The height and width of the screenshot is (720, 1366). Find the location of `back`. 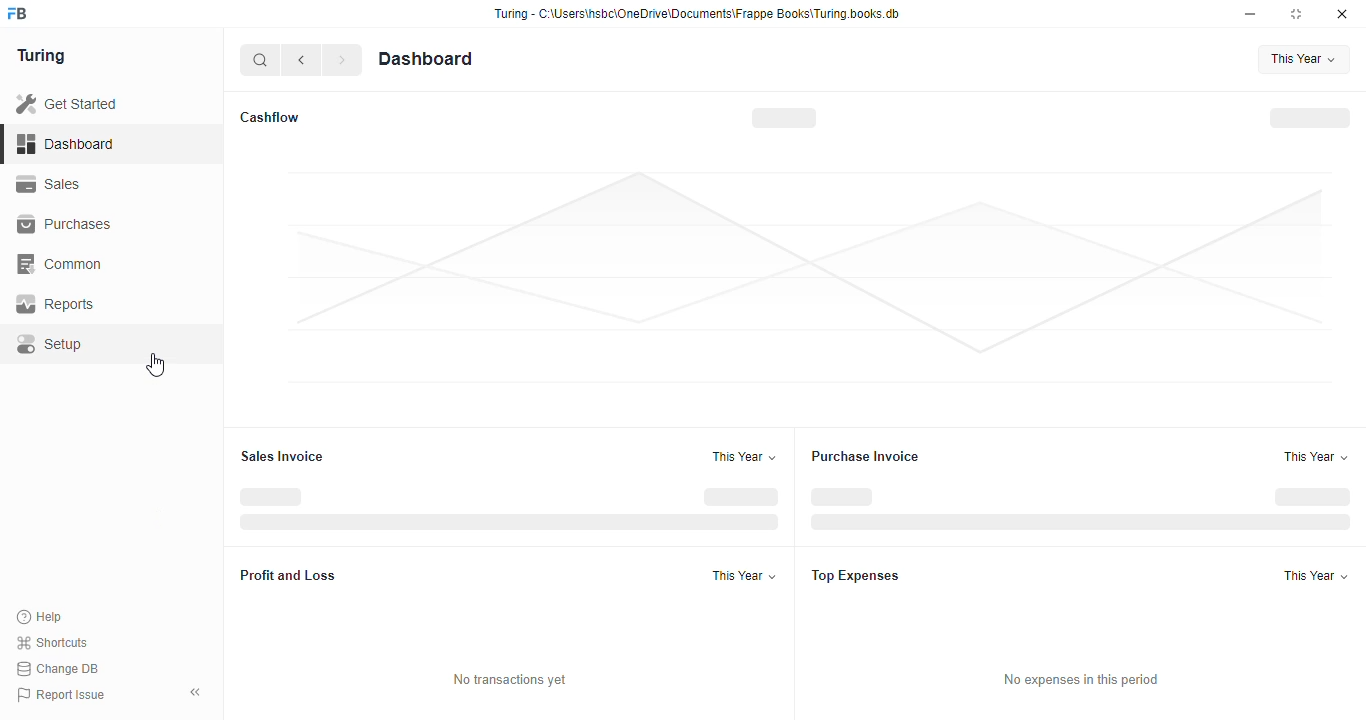

back is located at coordinates (301, 60).